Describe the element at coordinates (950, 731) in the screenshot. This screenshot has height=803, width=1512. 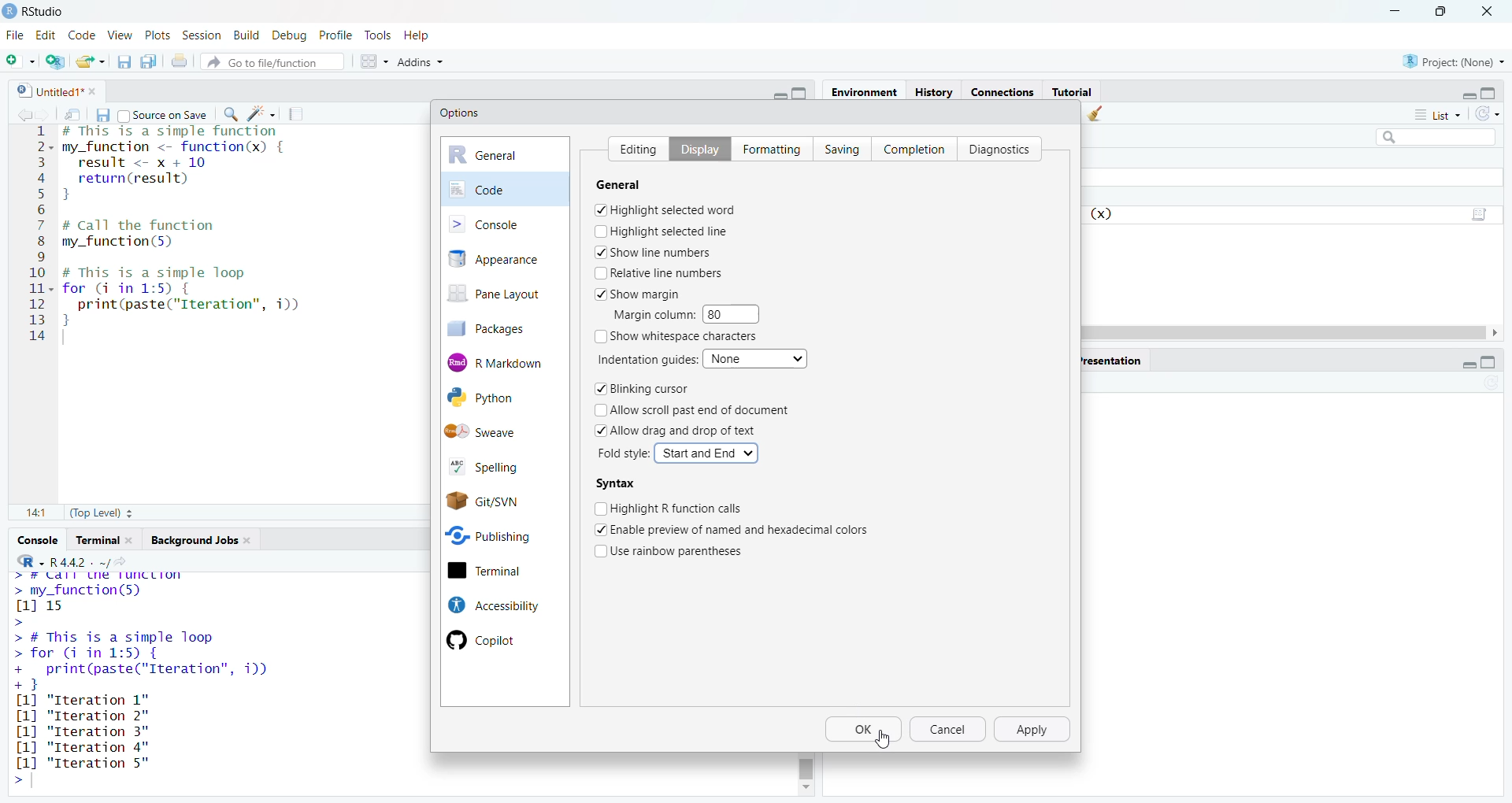
I see `cancel` at that location.